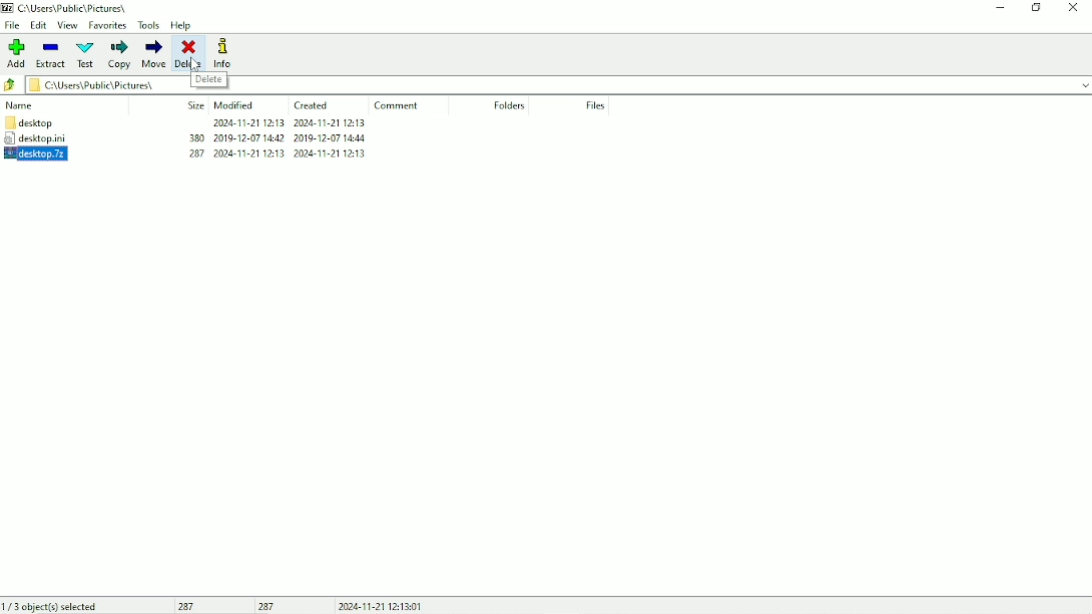  Describe the element at coordinates (118, 54) in the screenshot. I see `Copy` at that location.